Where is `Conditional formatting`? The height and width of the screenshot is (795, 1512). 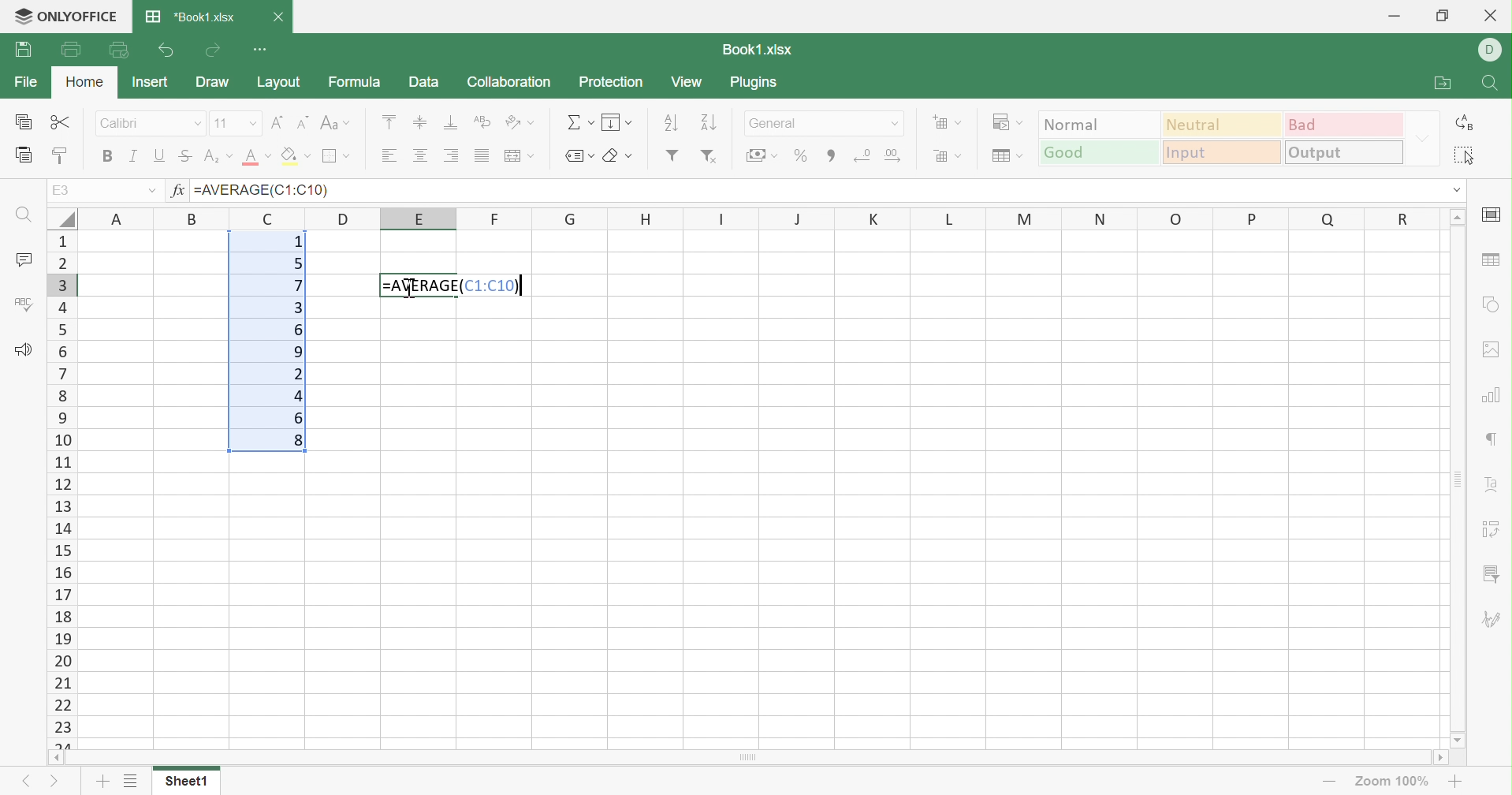 Conditional formatting is located at coordinates (1011, 121).